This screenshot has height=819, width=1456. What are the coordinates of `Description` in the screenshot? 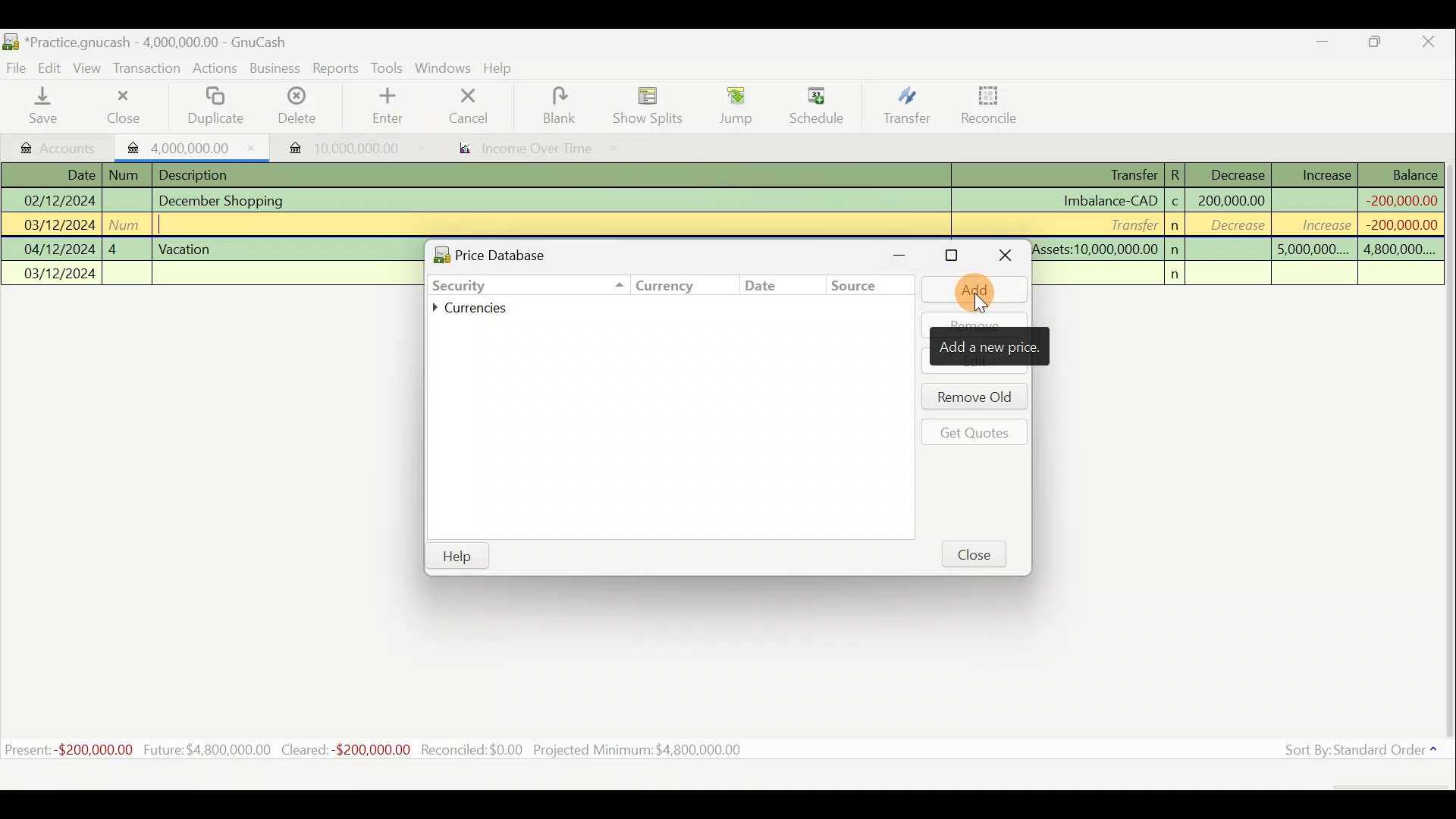 It's located at (199, 173).